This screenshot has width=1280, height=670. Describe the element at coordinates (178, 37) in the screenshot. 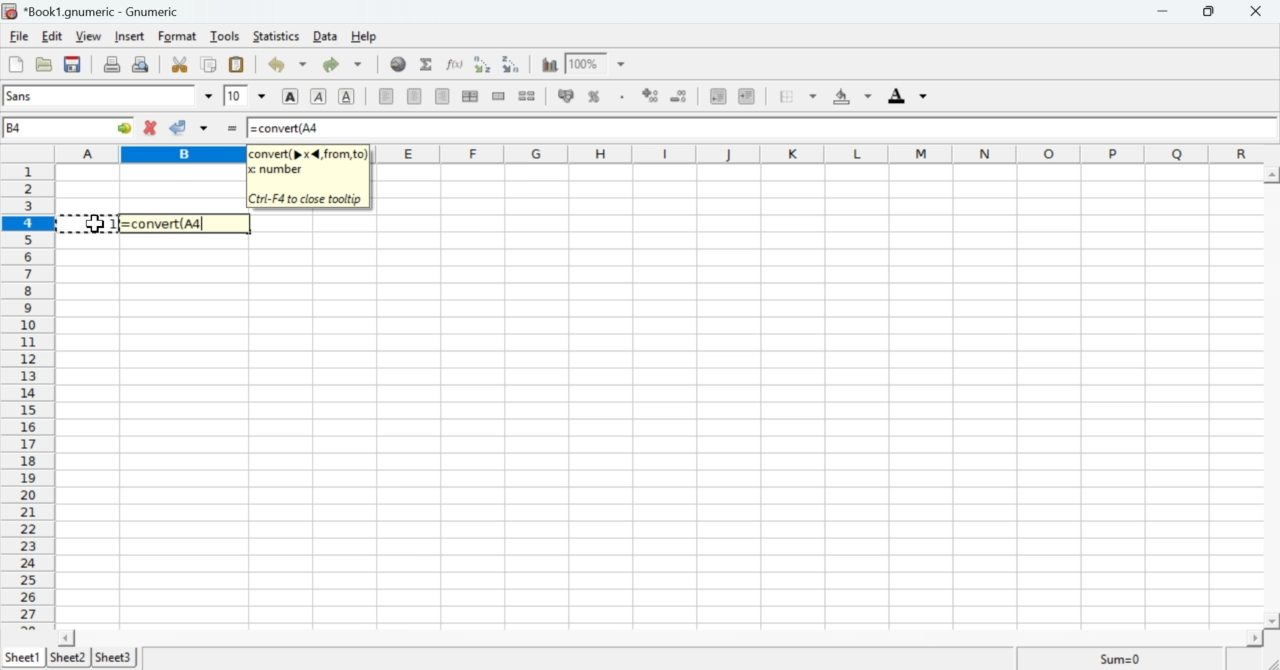

I see `Format` at that location.